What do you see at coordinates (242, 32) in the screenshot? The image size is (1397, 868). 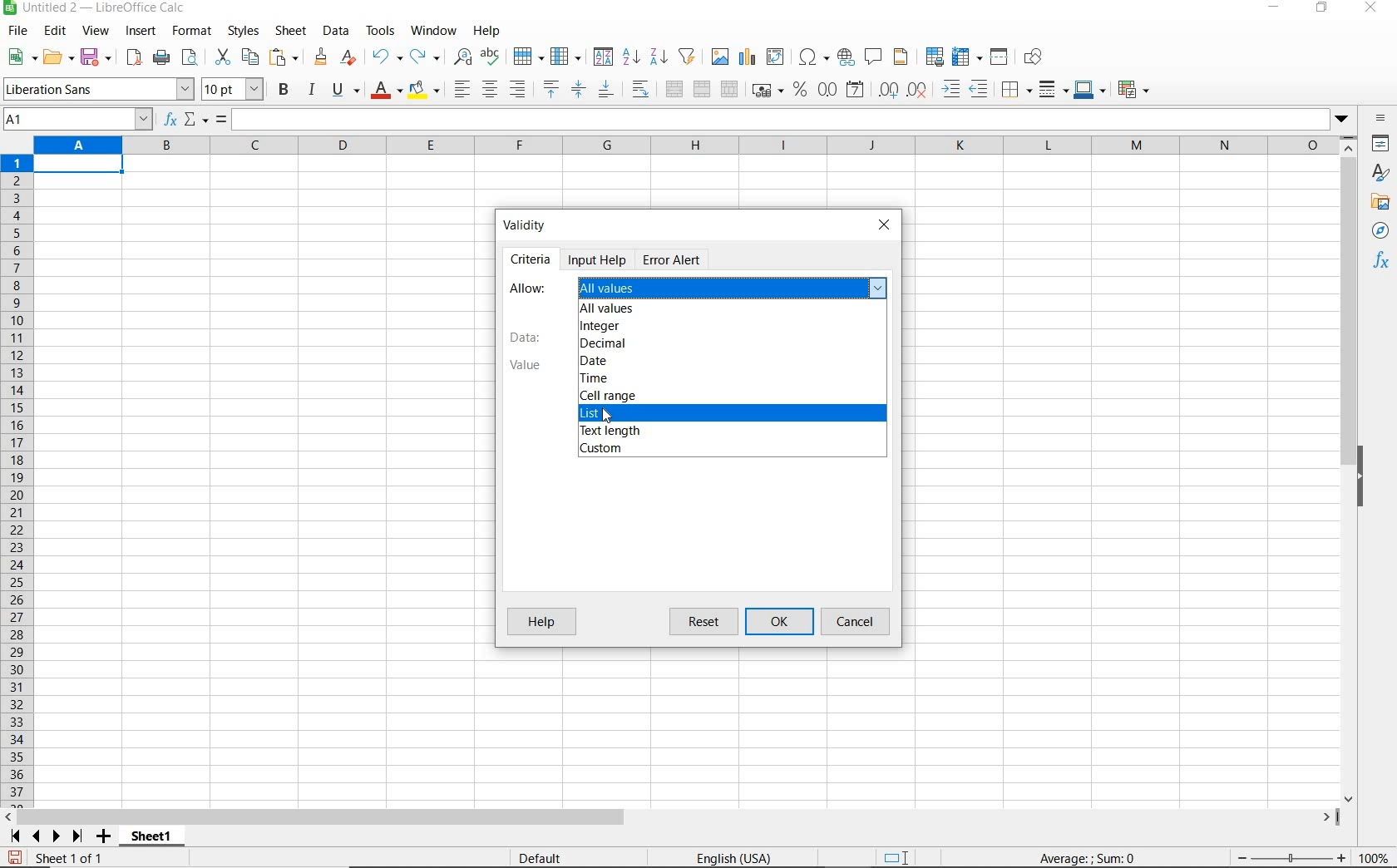 I see `styles` at bounding box center [242, 32].